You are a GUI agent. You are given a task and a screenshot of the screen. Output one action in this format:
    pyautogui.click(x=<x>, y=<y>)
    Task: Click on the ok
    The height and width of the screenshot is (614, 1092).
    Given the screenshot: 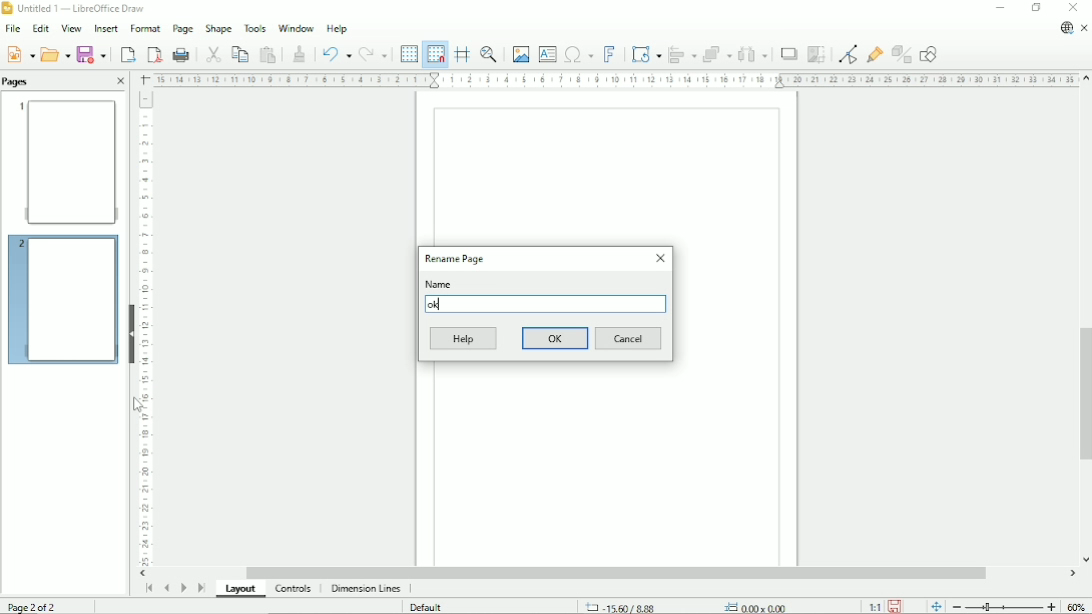 What is the action you would take?
    pyautogui.click(x=437, y=304)
    